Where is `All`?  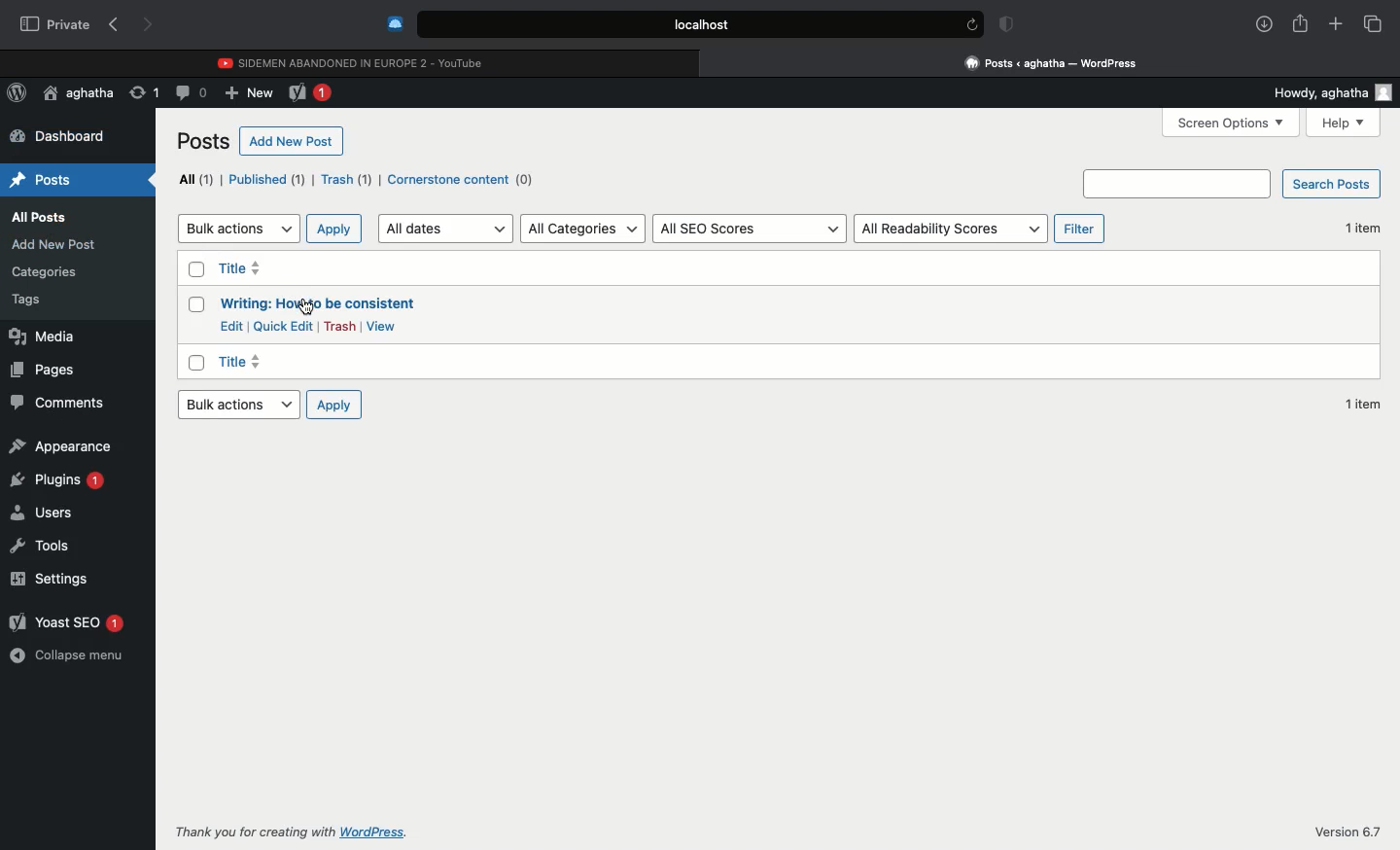
All is located at coordinates (192, 179).